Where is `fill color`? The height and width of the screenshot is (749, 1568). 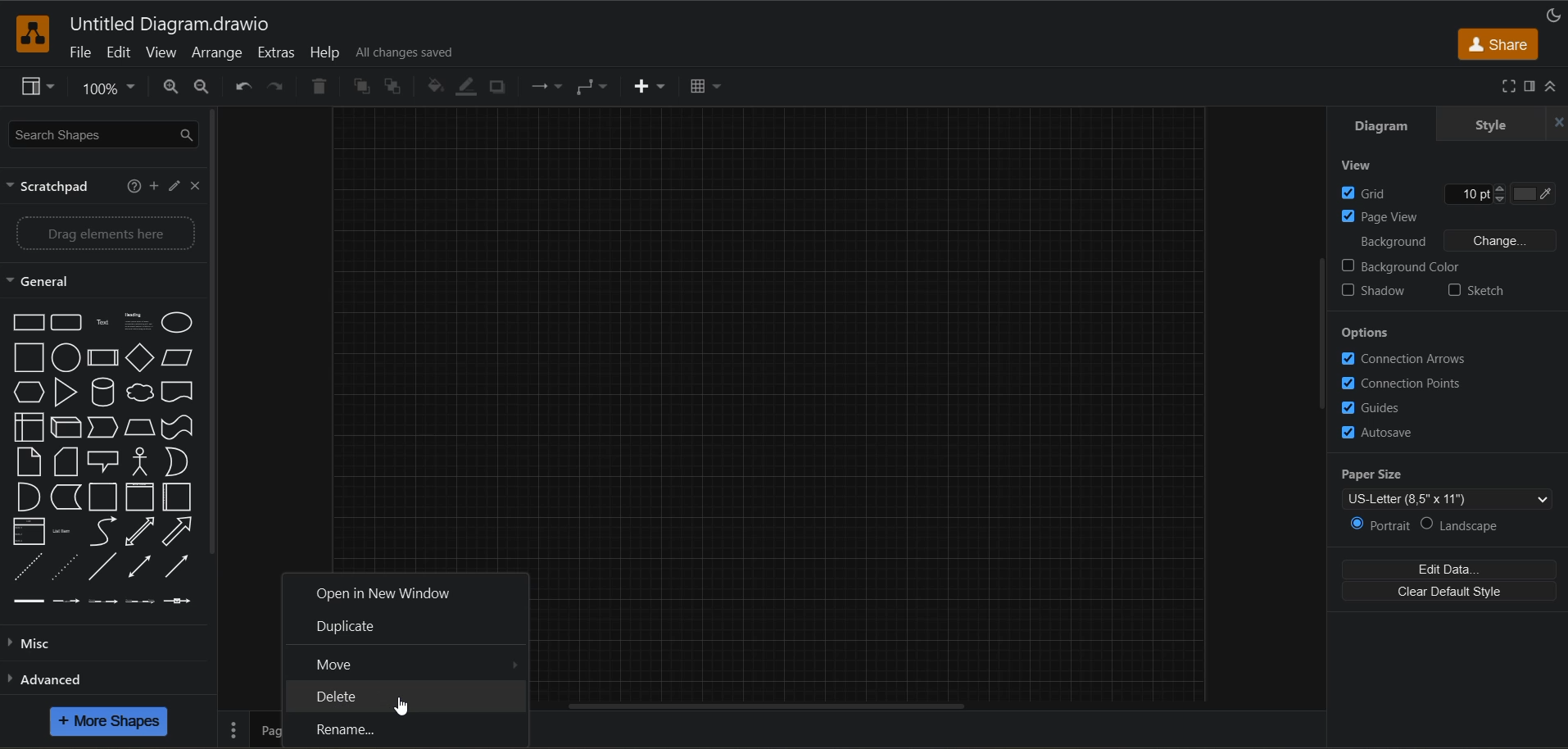 fill color is located at coordinates (437, 87).